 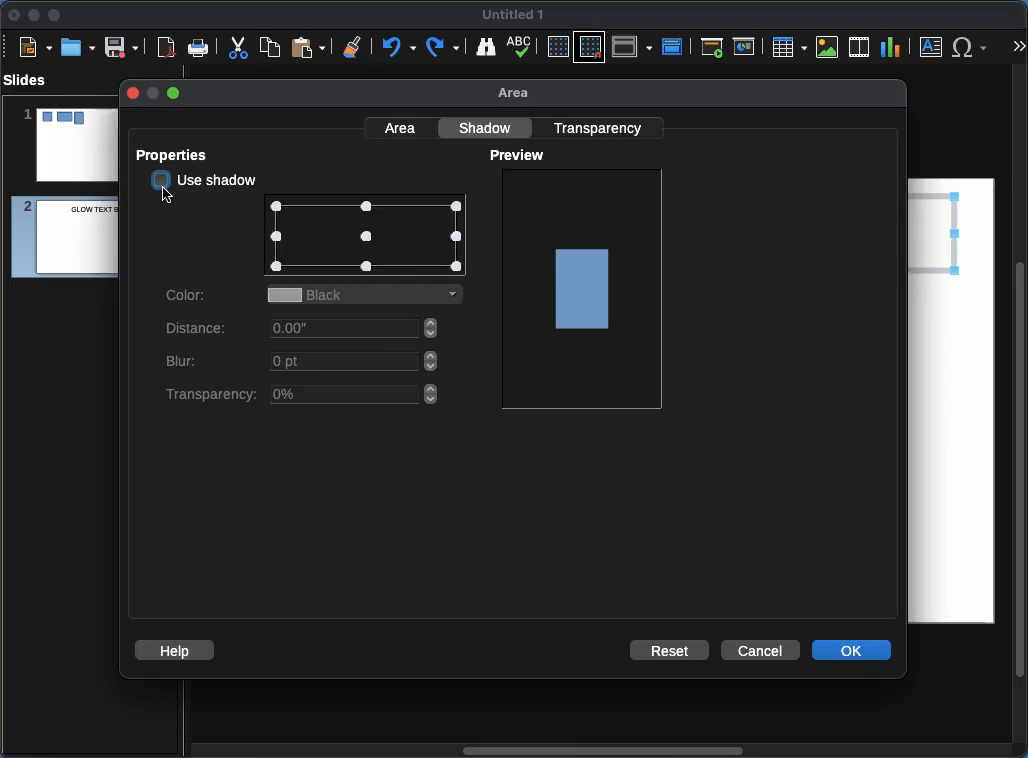 What do you see at coordinates (397, 47) in the screenshot?
I see `Undo` at bounding box center [397, 47].